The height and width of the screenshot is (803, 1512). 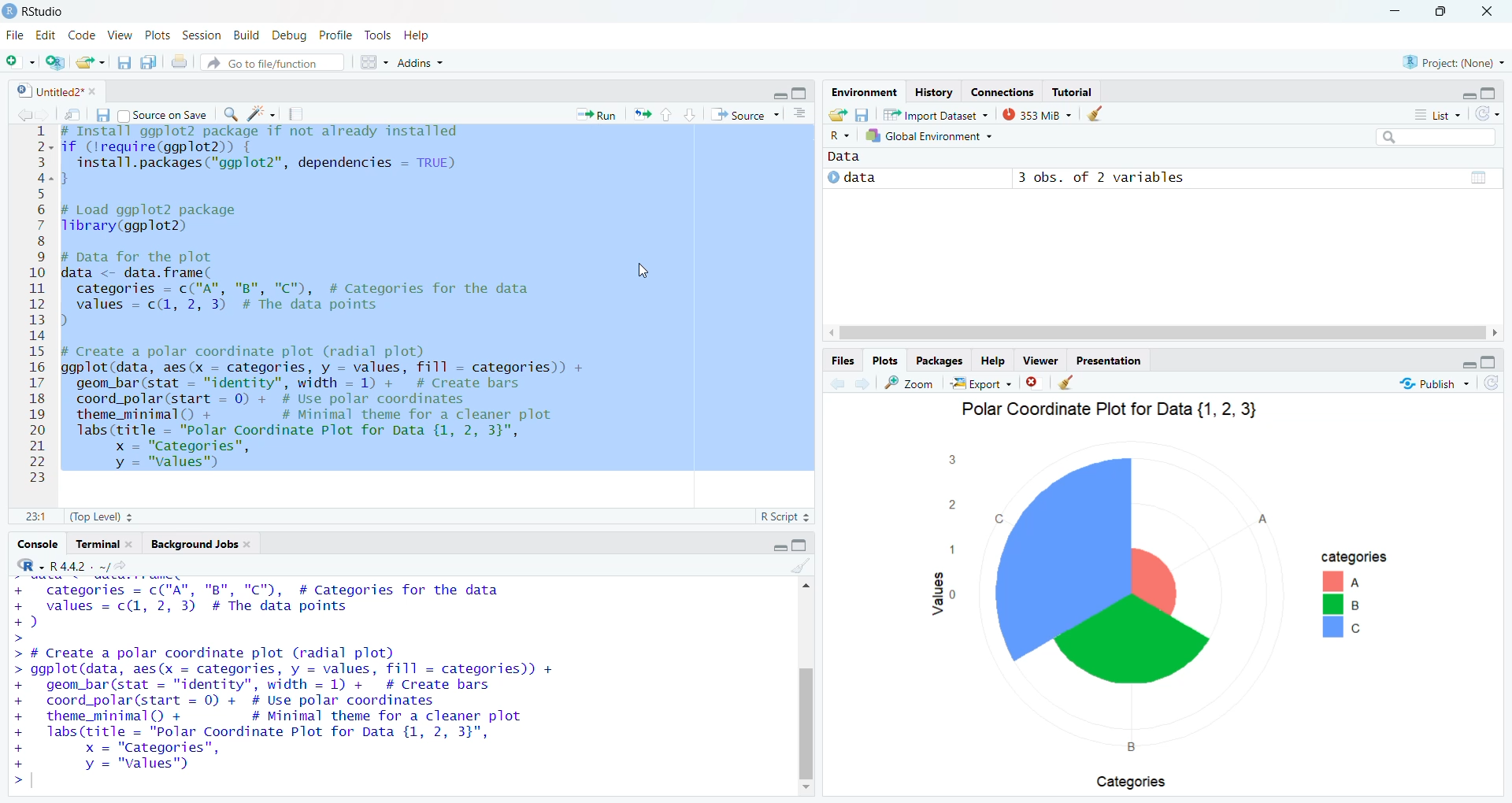 I want to click on history, so click(x=934, y=91).